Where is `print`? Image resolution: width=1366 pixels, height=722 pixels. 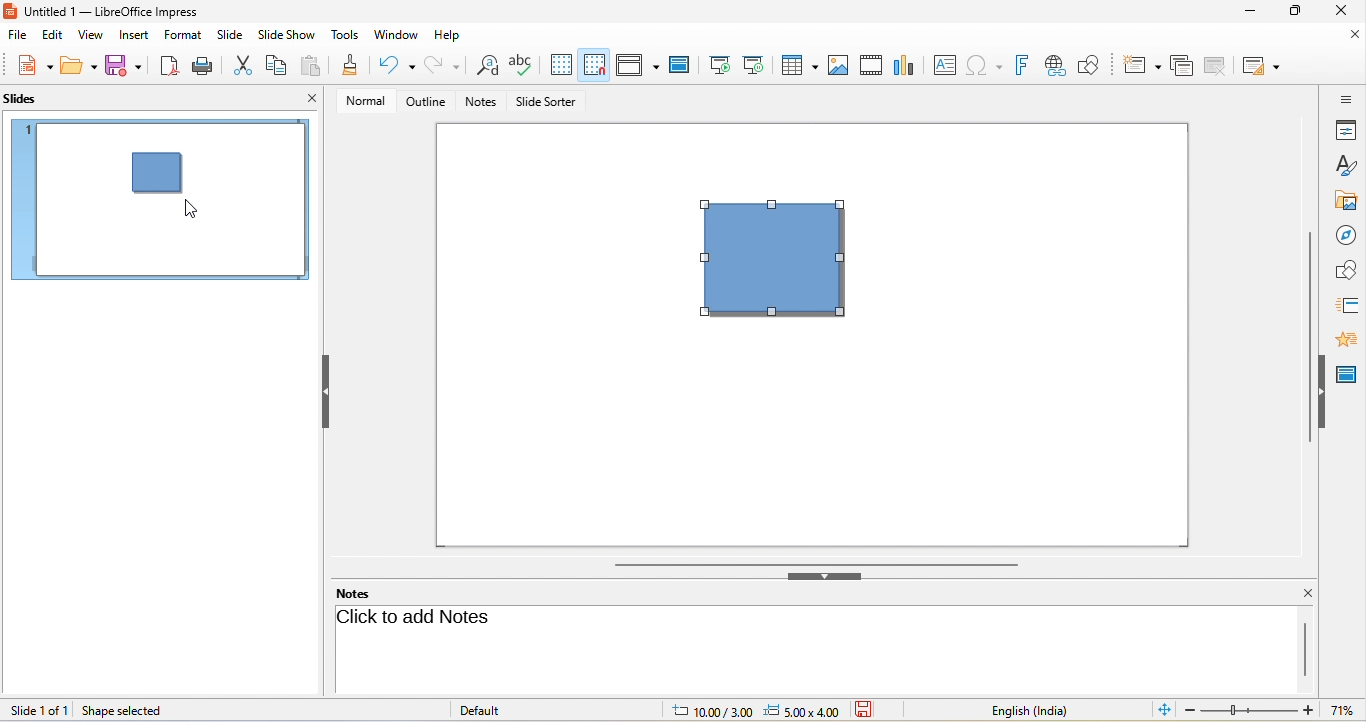 print is located at coordinates (199, 65).